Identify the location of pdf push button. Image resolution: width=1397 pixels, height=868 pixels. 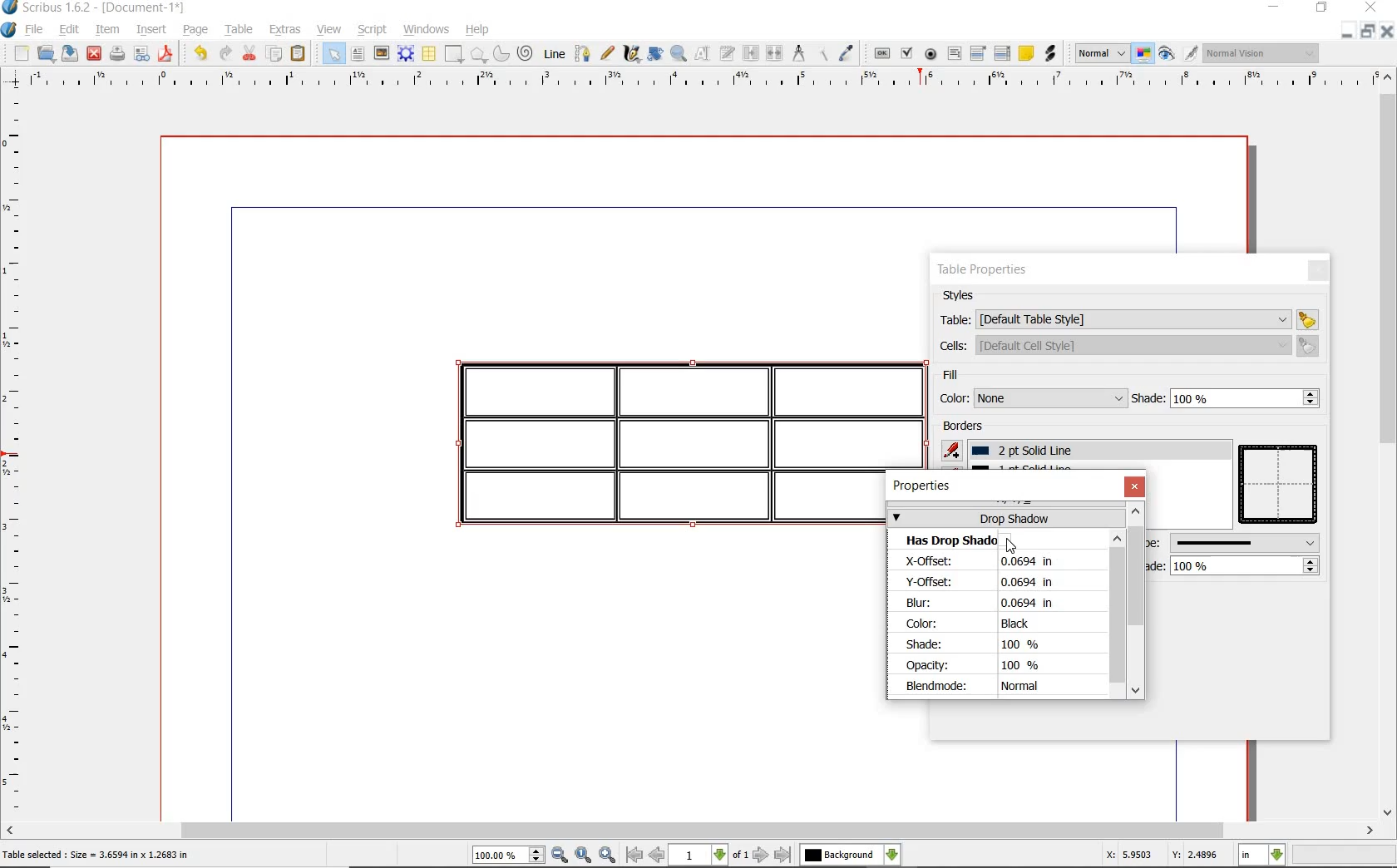
(882, 54).